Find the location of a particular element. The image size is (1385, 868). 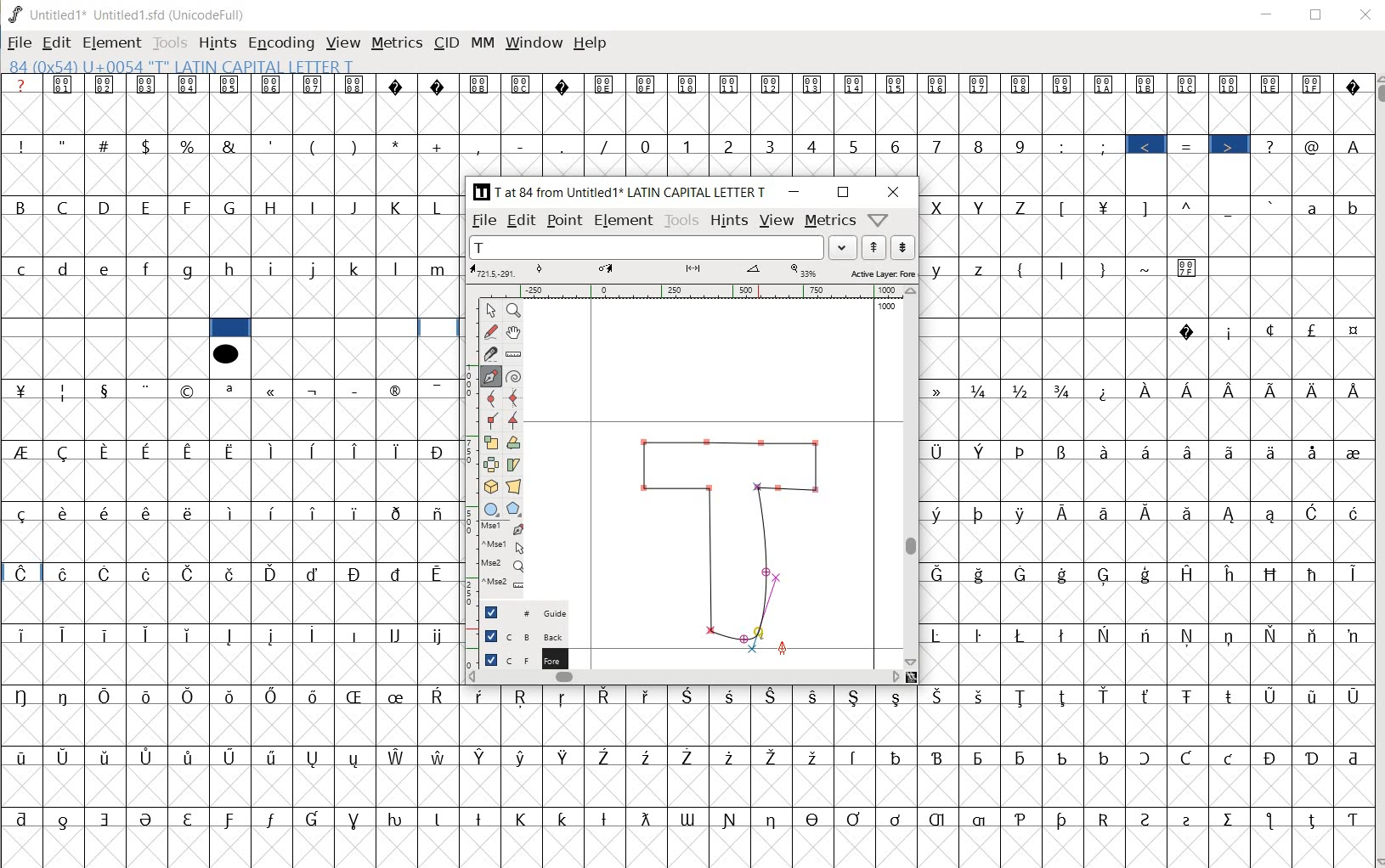

Symbol is located at coordinates (399, 449).